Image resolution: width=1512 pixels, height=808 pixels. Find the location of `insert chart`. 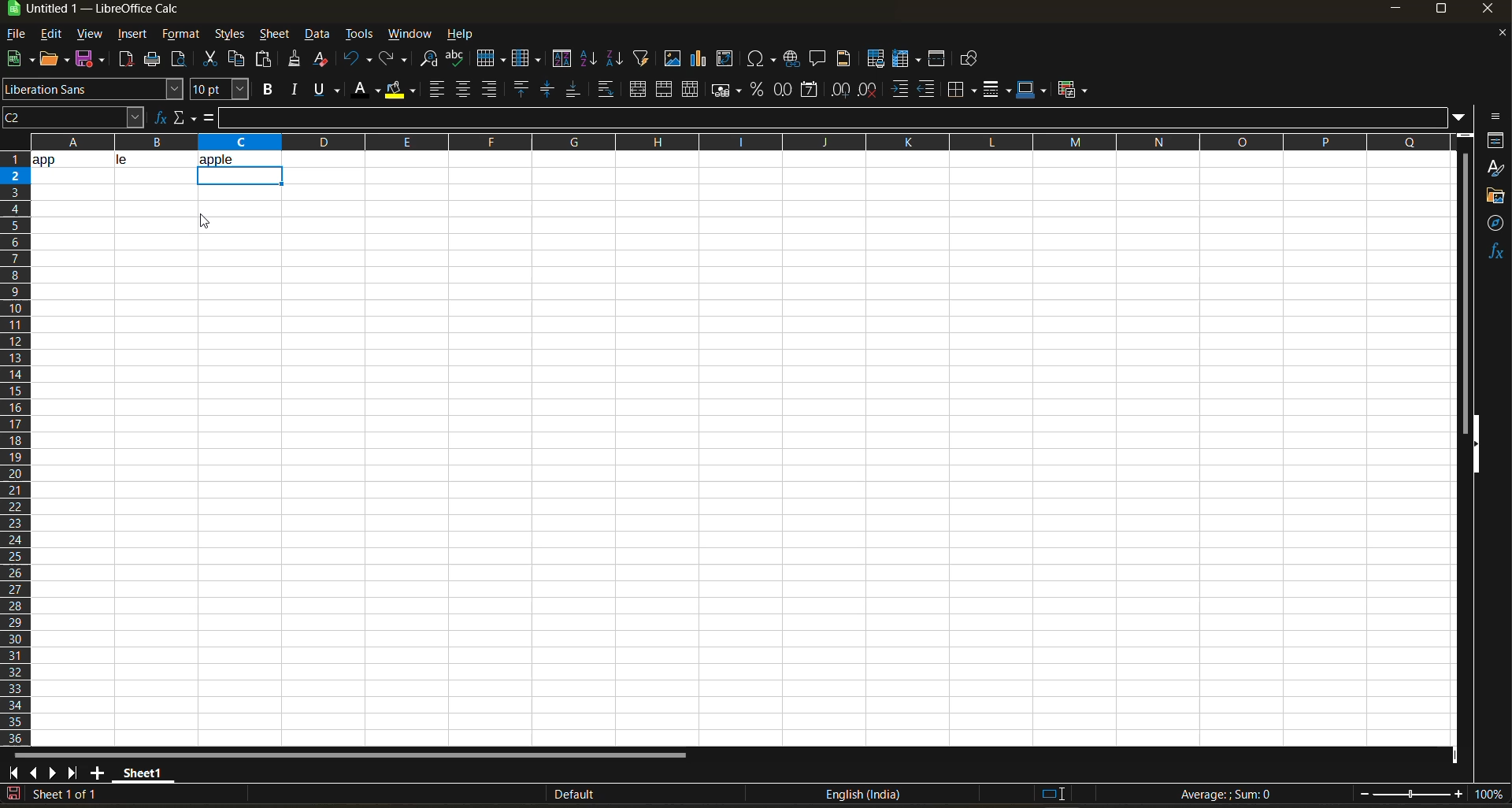

insert chart is located at coordinates (699, 58).